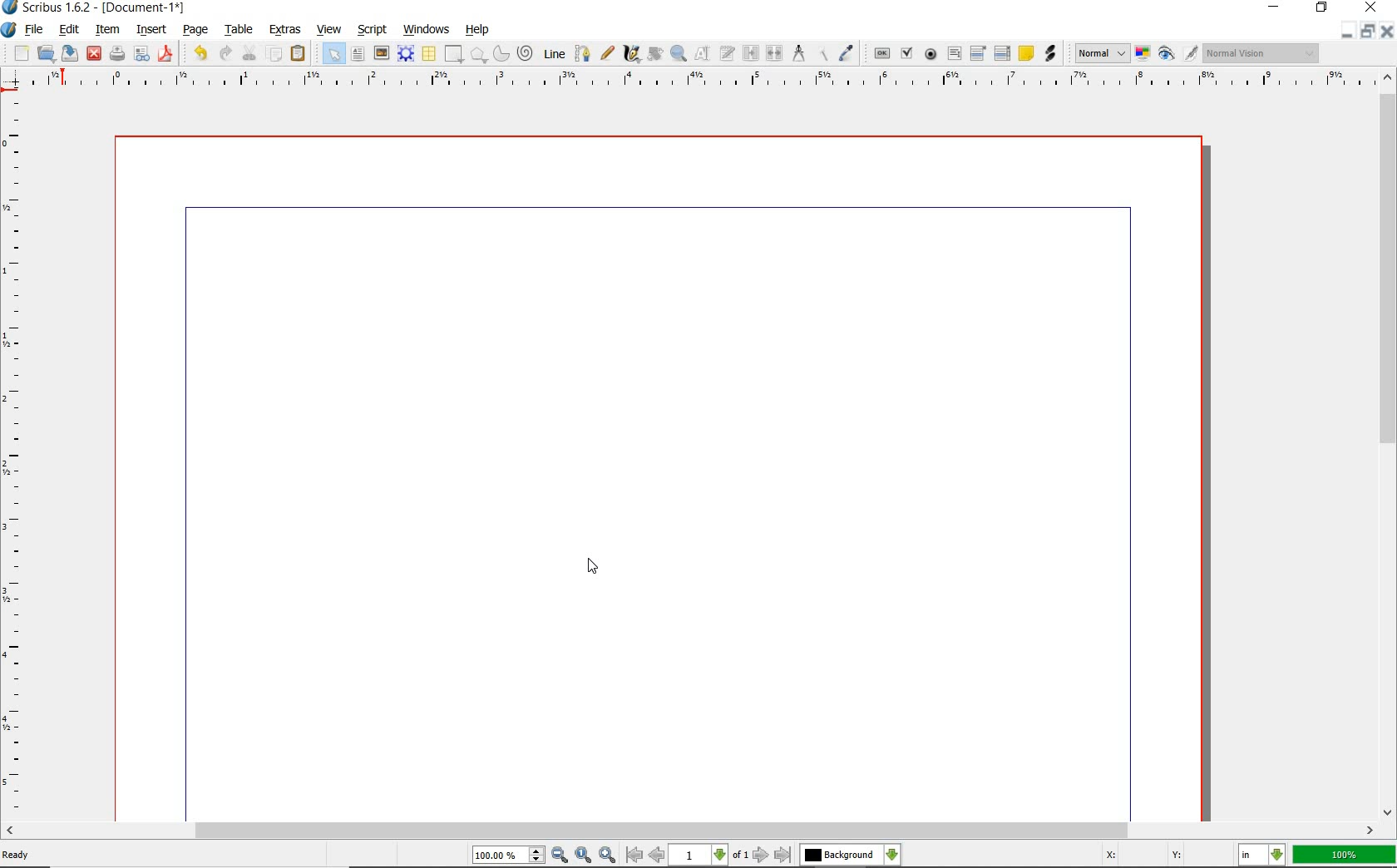 This screenshot has width=1397, height=868. Describe the element at coordinates (850, 855) in the screenshot. I see `select the current layer` at that location.